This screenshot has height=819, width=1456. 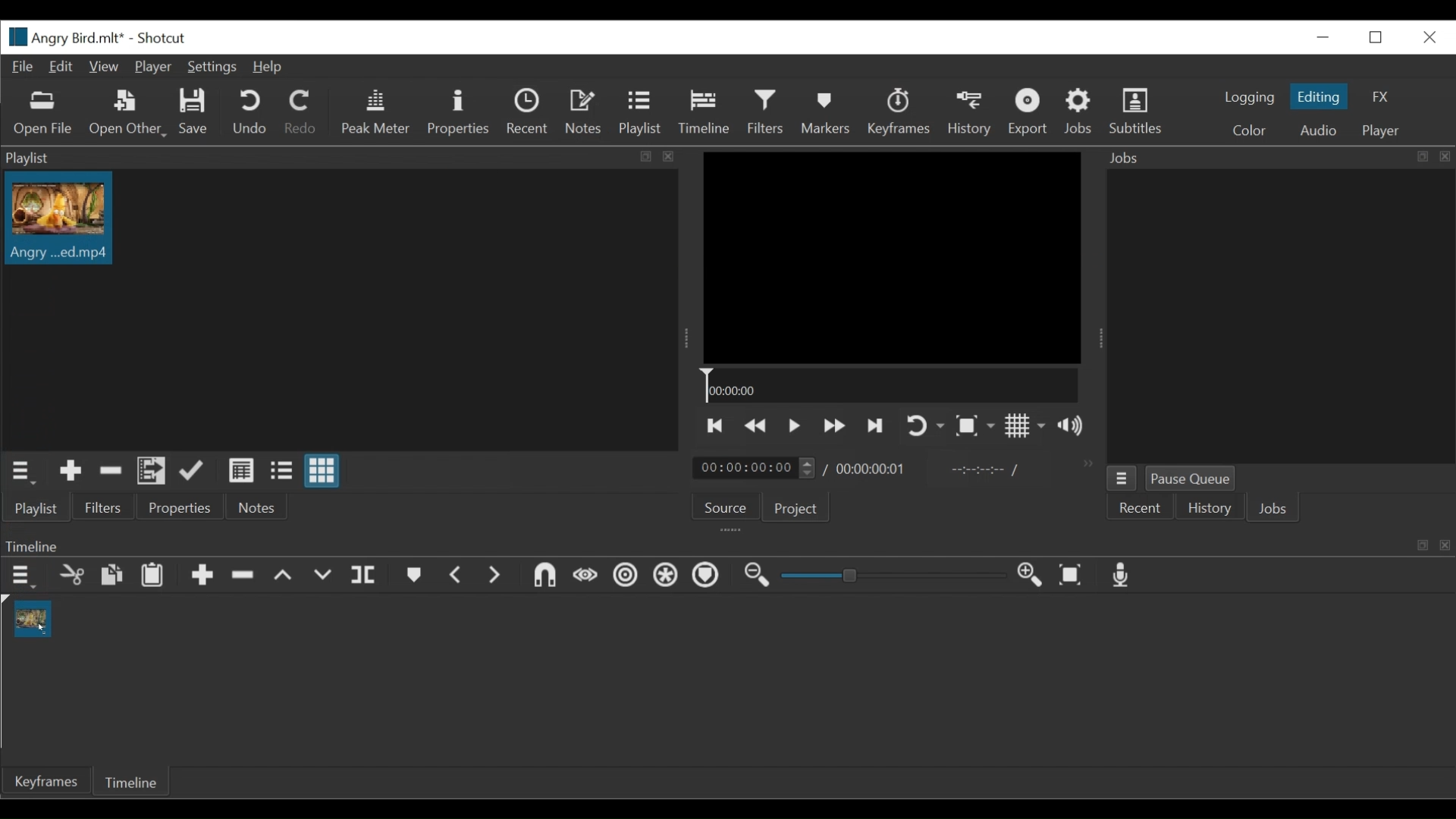 I want to click on Toggle display grid on player, so click(x=1026, y=425).